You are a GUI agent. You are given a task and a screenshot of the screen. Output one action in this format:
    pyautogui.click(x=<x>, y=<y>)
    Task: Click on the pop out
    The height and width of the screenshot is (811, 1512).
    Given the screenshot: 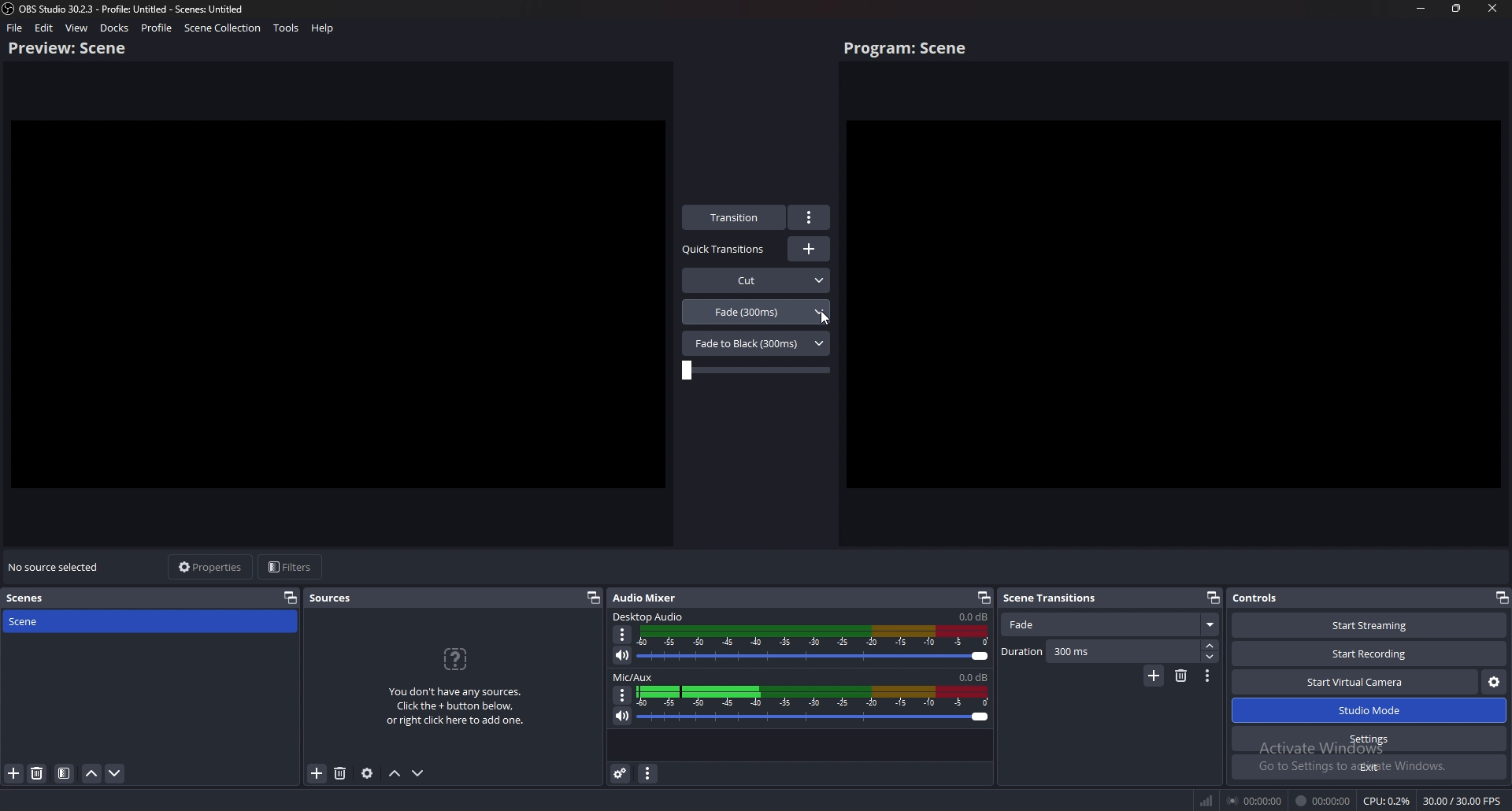 What is the action you would take?
    pyautogui.click(x=593, y=598)
    